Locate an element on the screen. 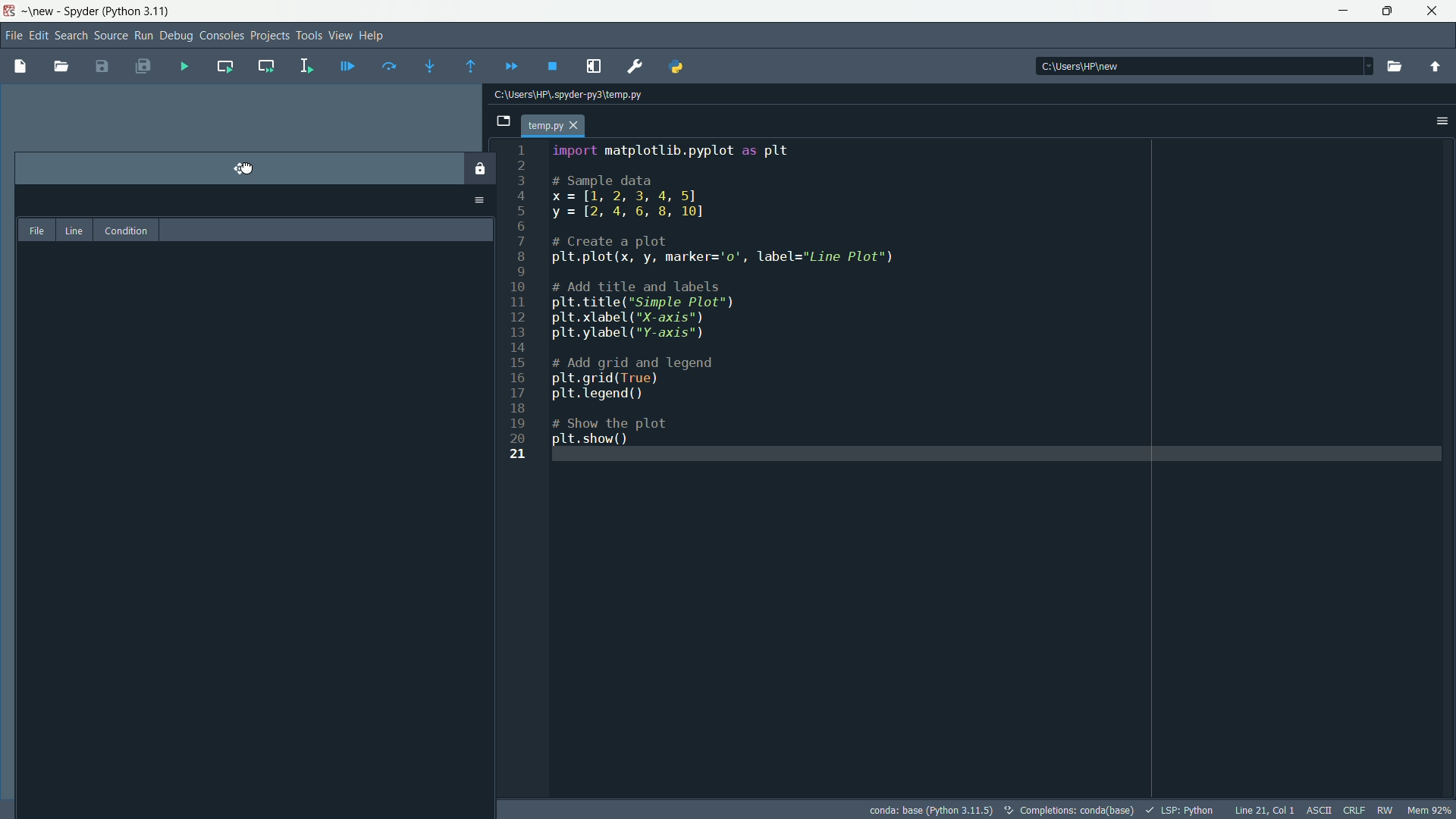  maximize current pane is located at coordinates (596, 66).